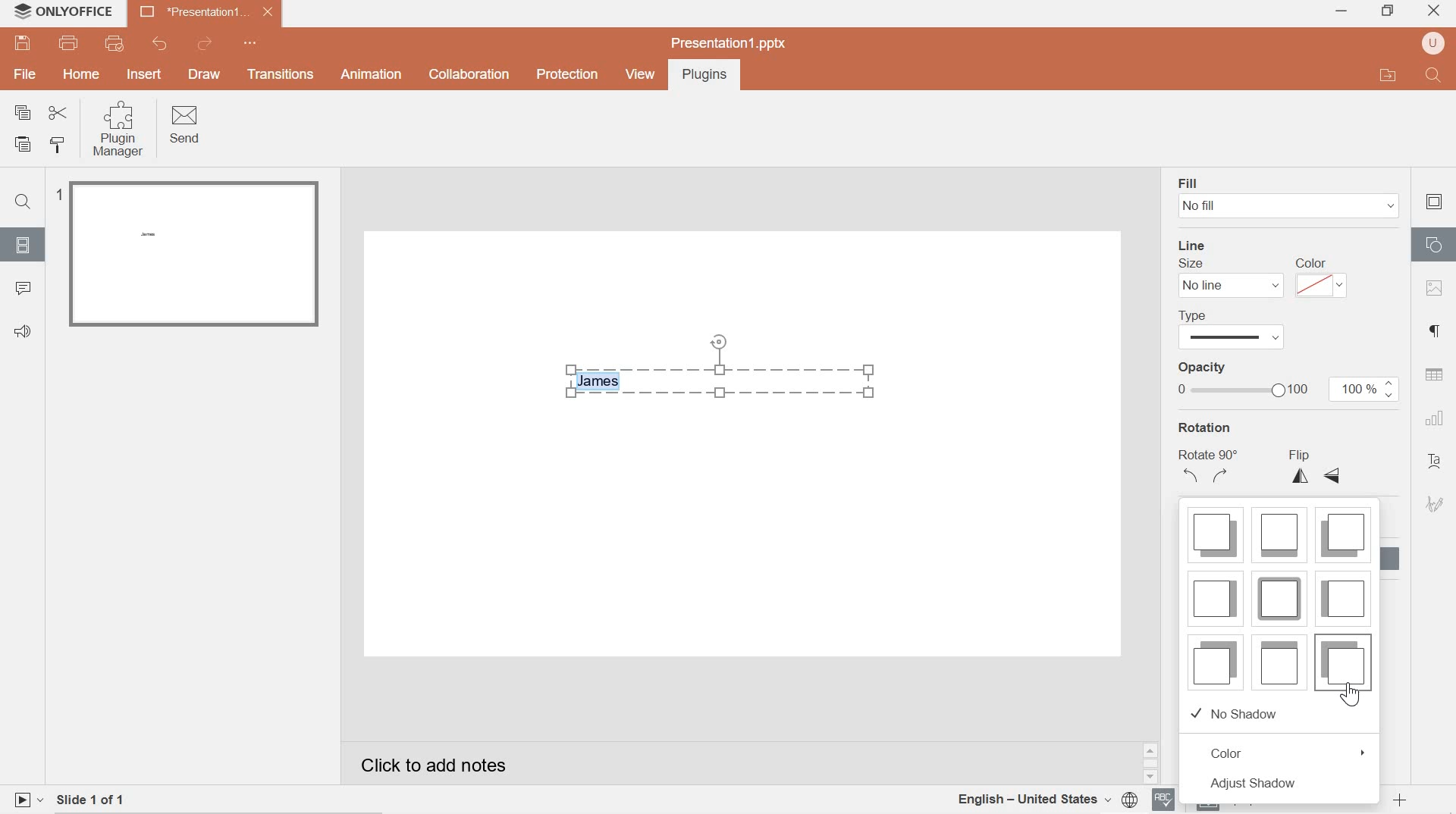 The height and width of the screenshot is (814, 1456). I want to click on Find, so click(26, 203).